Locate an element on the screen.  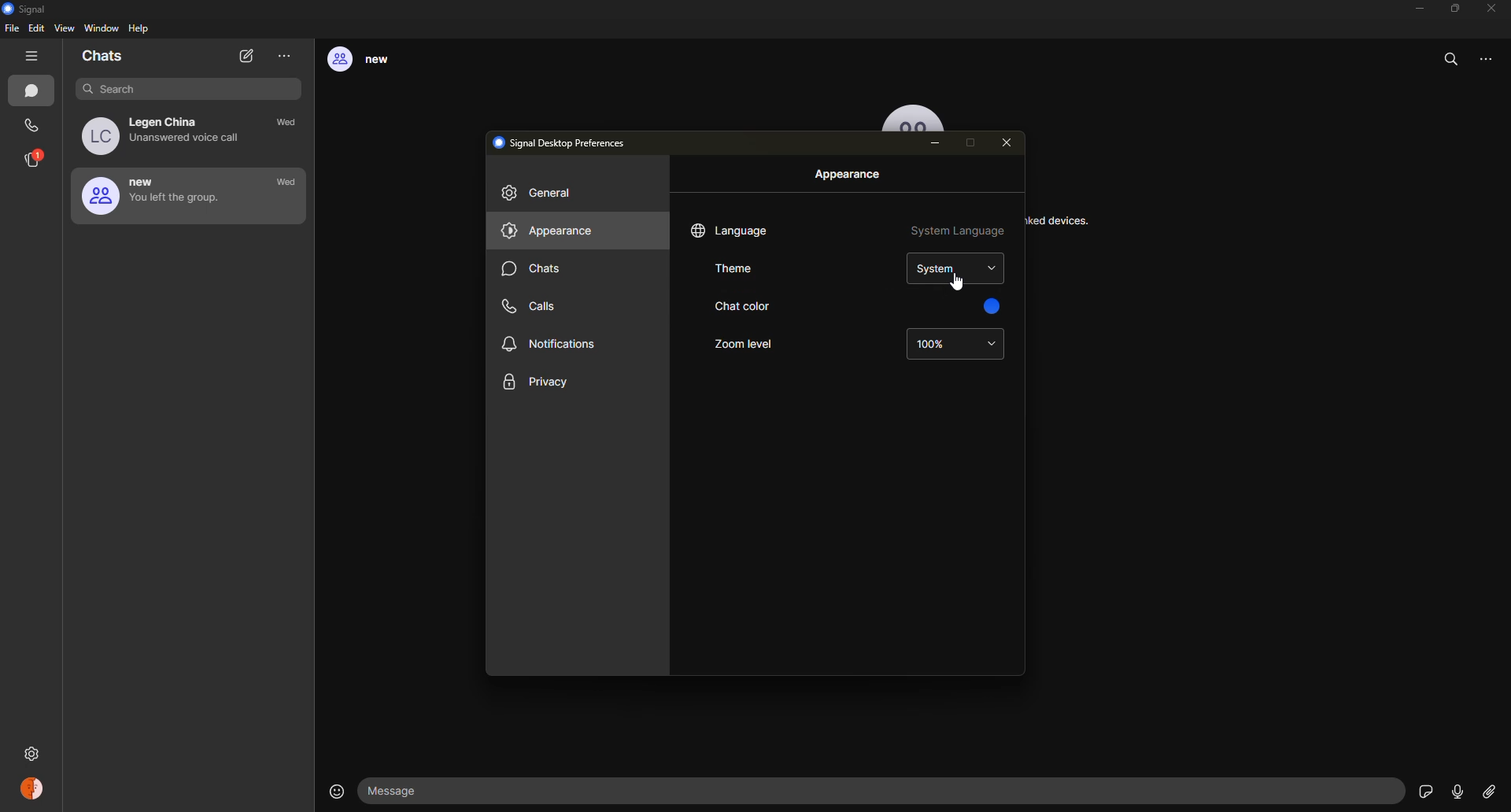
maximize is located at coordinates (1454, 8).